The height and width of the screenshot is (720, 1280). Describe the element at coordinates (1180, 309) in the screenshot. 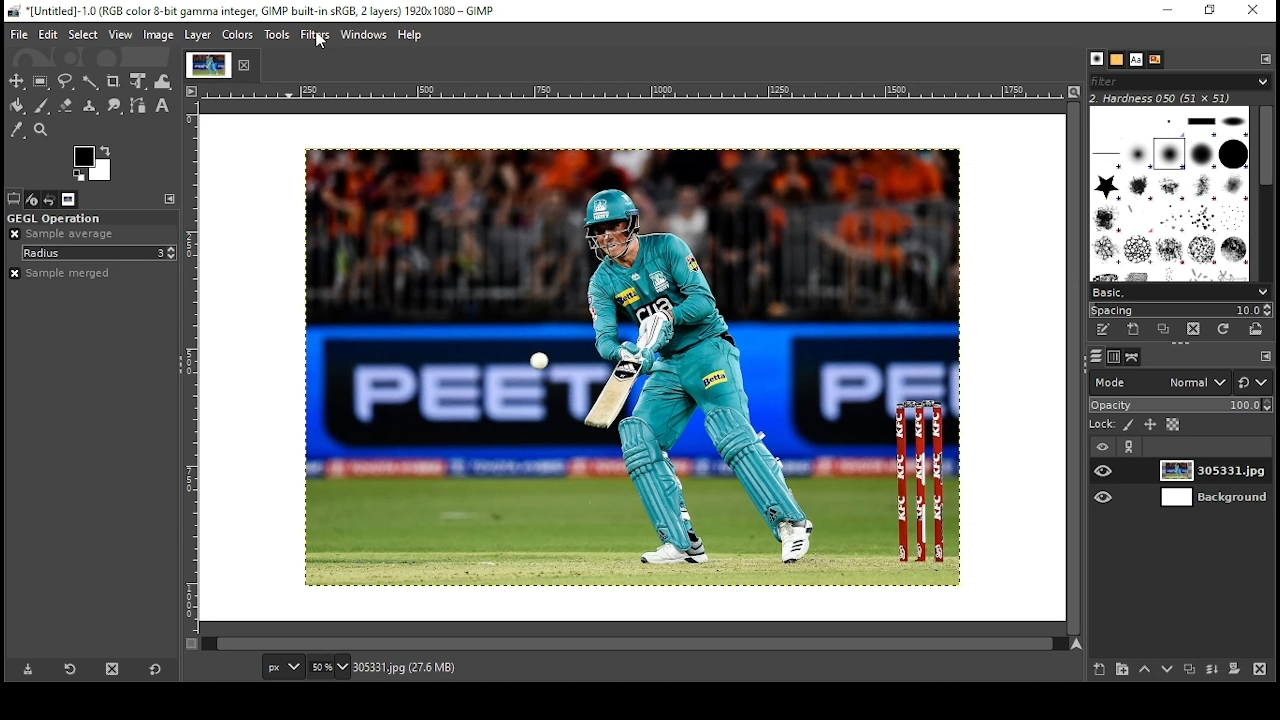

I see `spacing` at that location.